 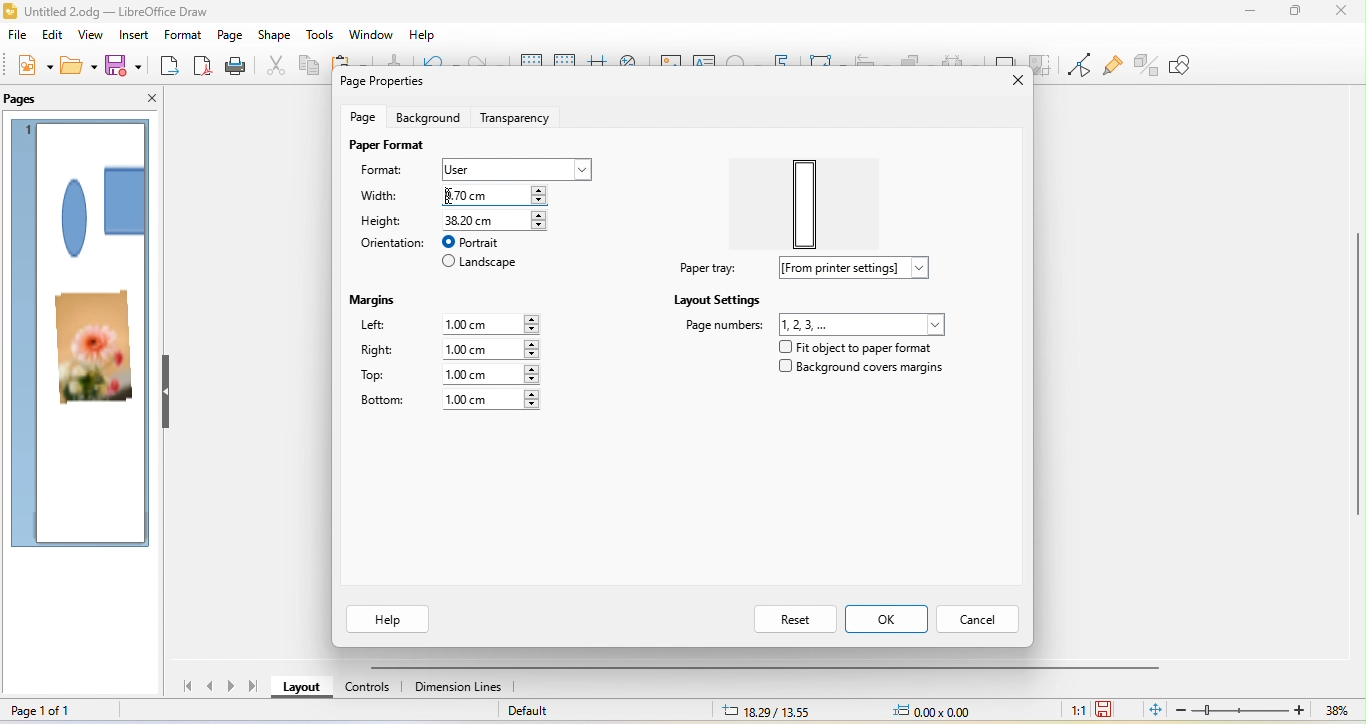 I want to click on bottom, so click(x=385, y=403).